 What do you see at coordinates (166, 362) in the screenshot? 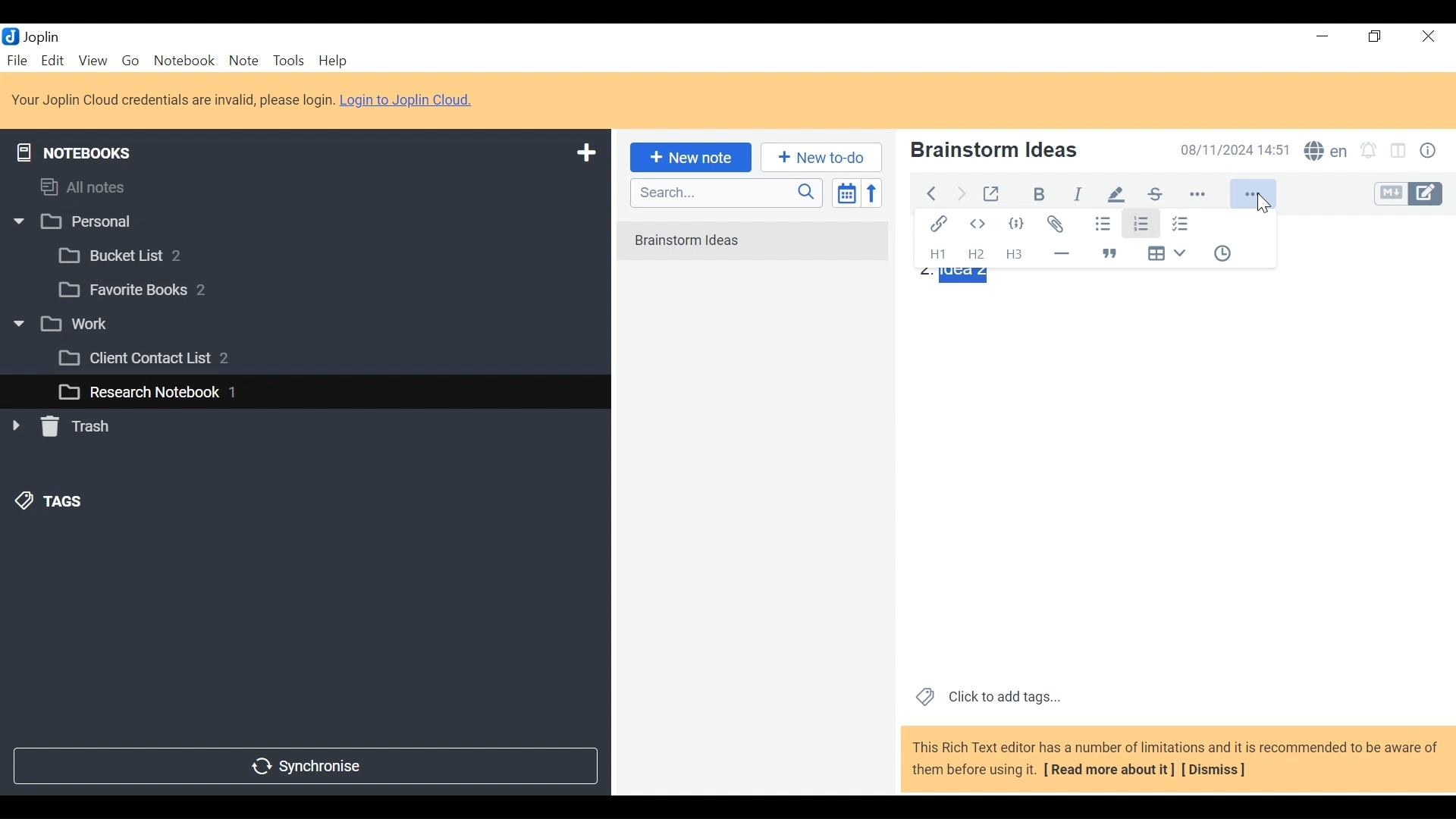
I see `[3 Client Contact List 2` at bounding box center [166, 362].